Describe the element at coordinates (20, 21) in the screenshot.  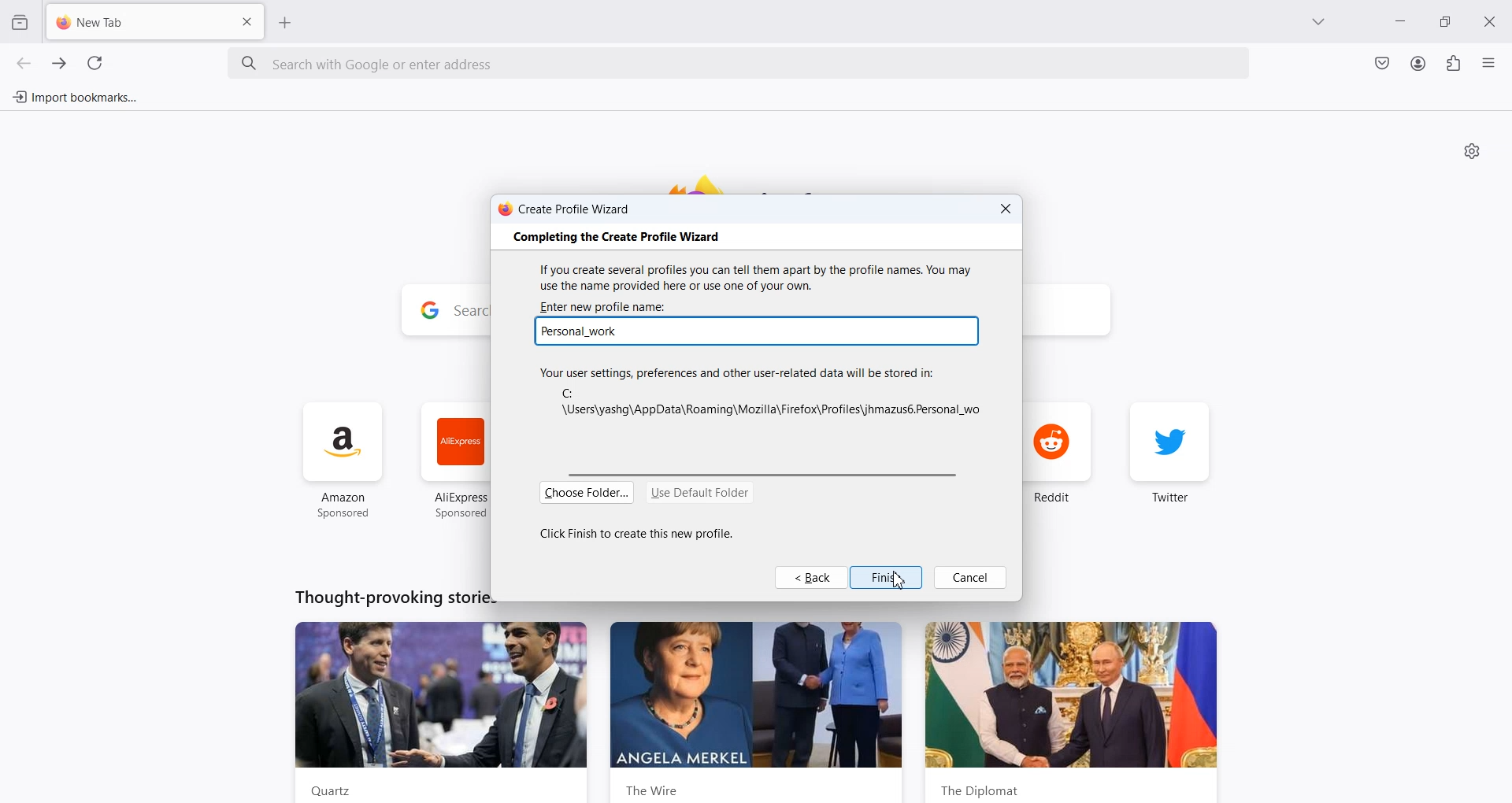
I see `View Recent browsing` at that location.